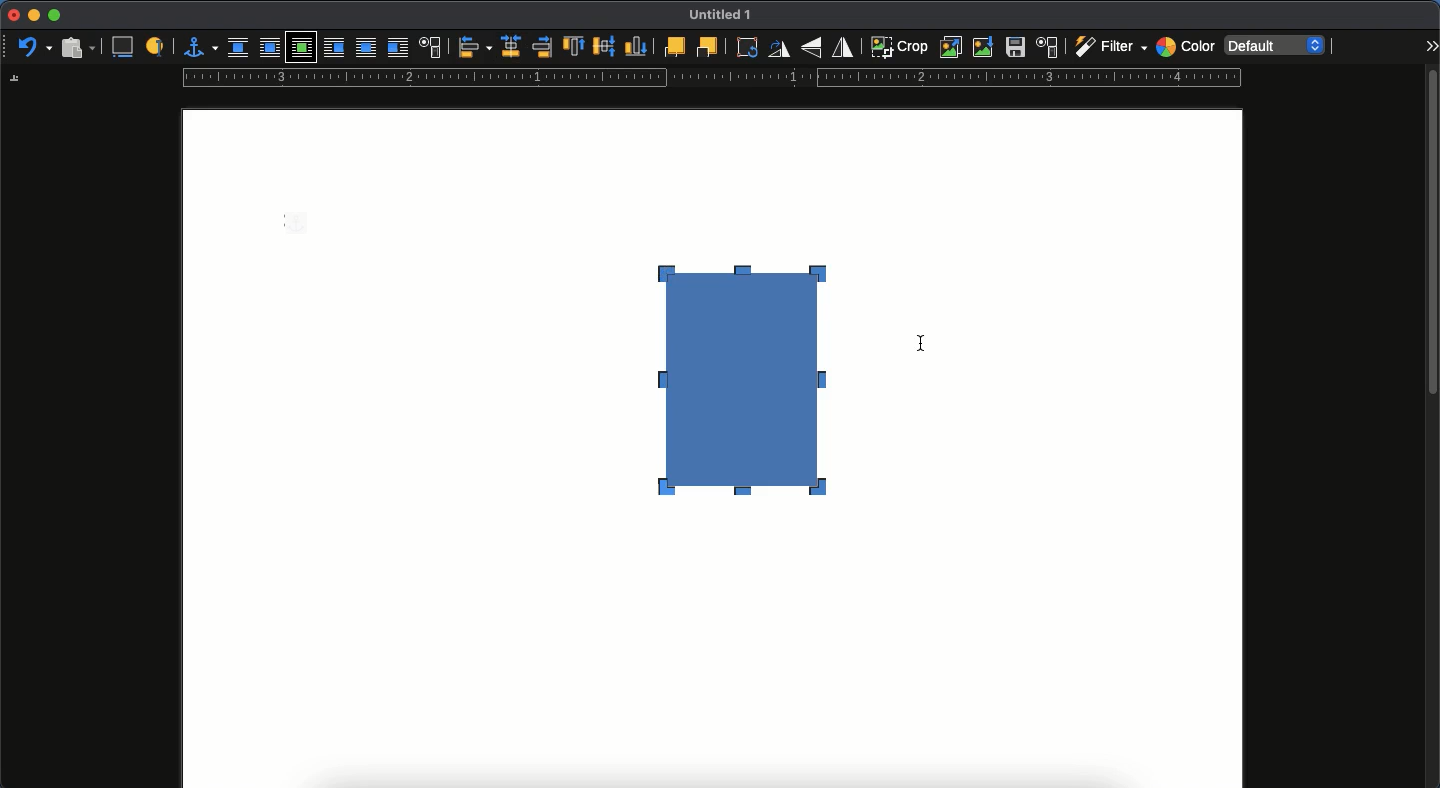 This screenshot has height=788, width=1440. Describe the element at coordinates (844, 46) in the screenshot. I see `flip horizontally` at that location.